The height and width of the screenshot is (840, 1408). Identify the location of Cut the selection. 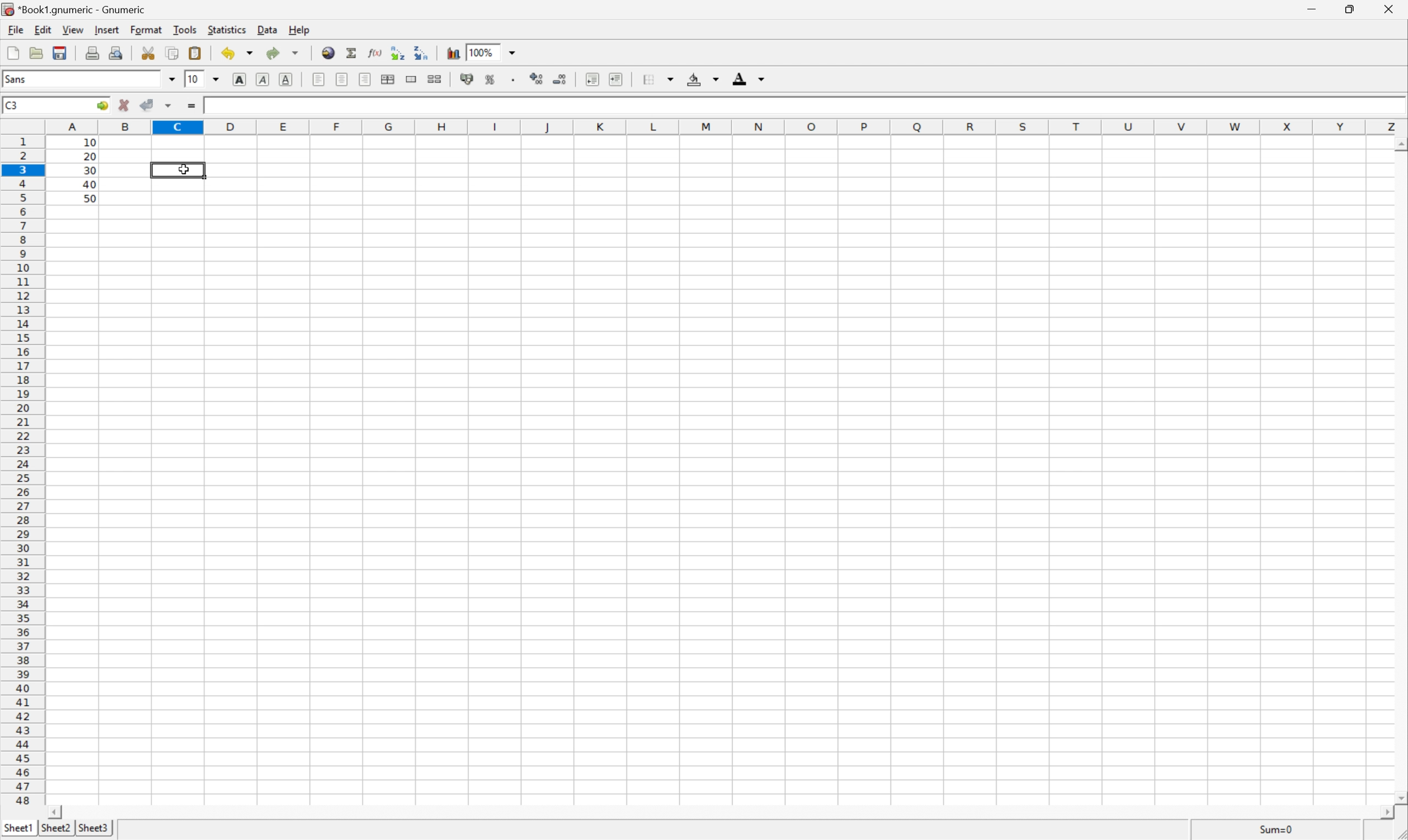
(147, 52).